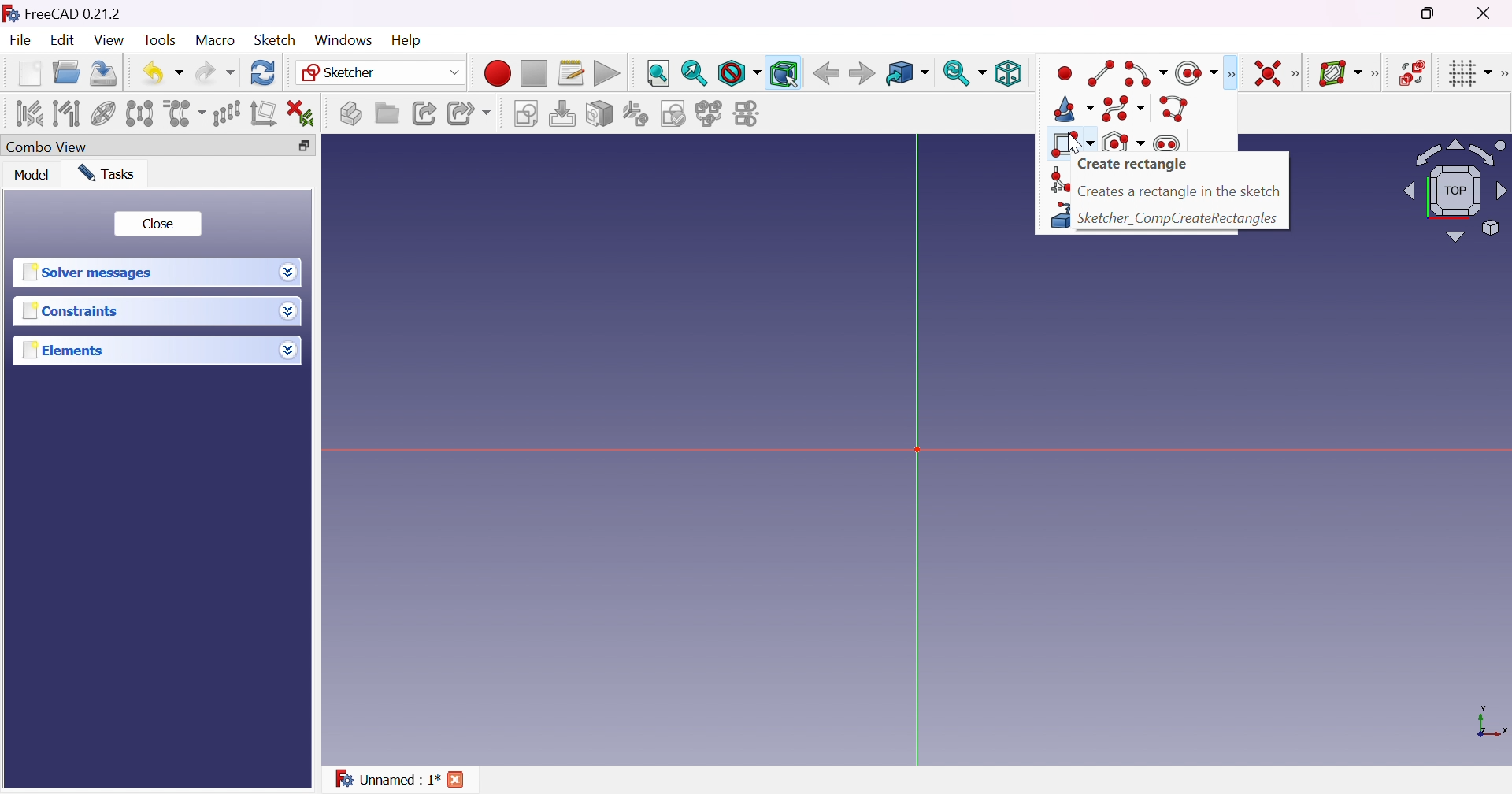 This screenshot has height=794, width=1512. Describe the element at coordinates (63, 40) in the screenshot. I see `Edit` at that location.